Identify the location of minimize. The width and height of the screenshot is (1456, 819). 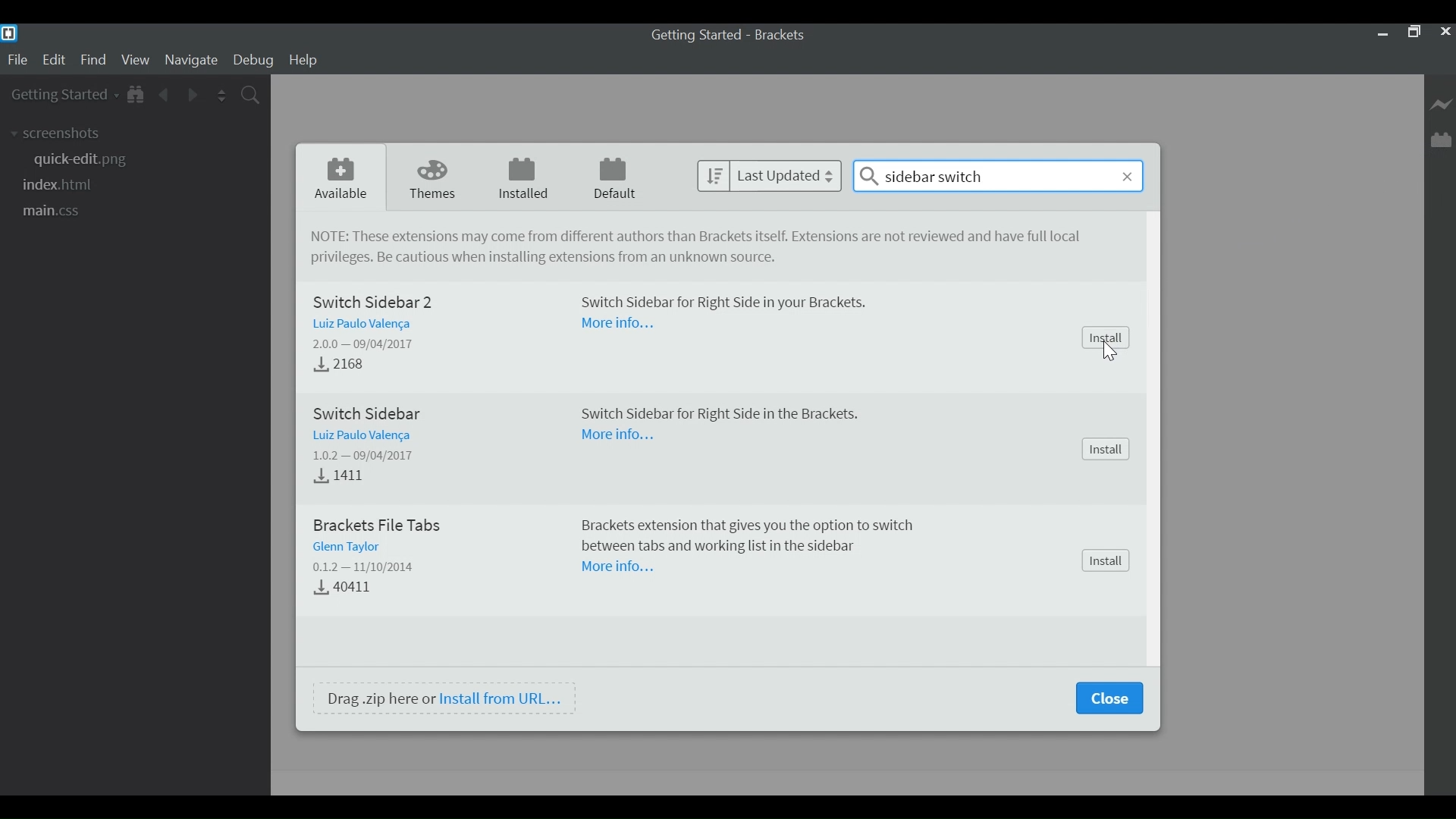
(1382, 33).